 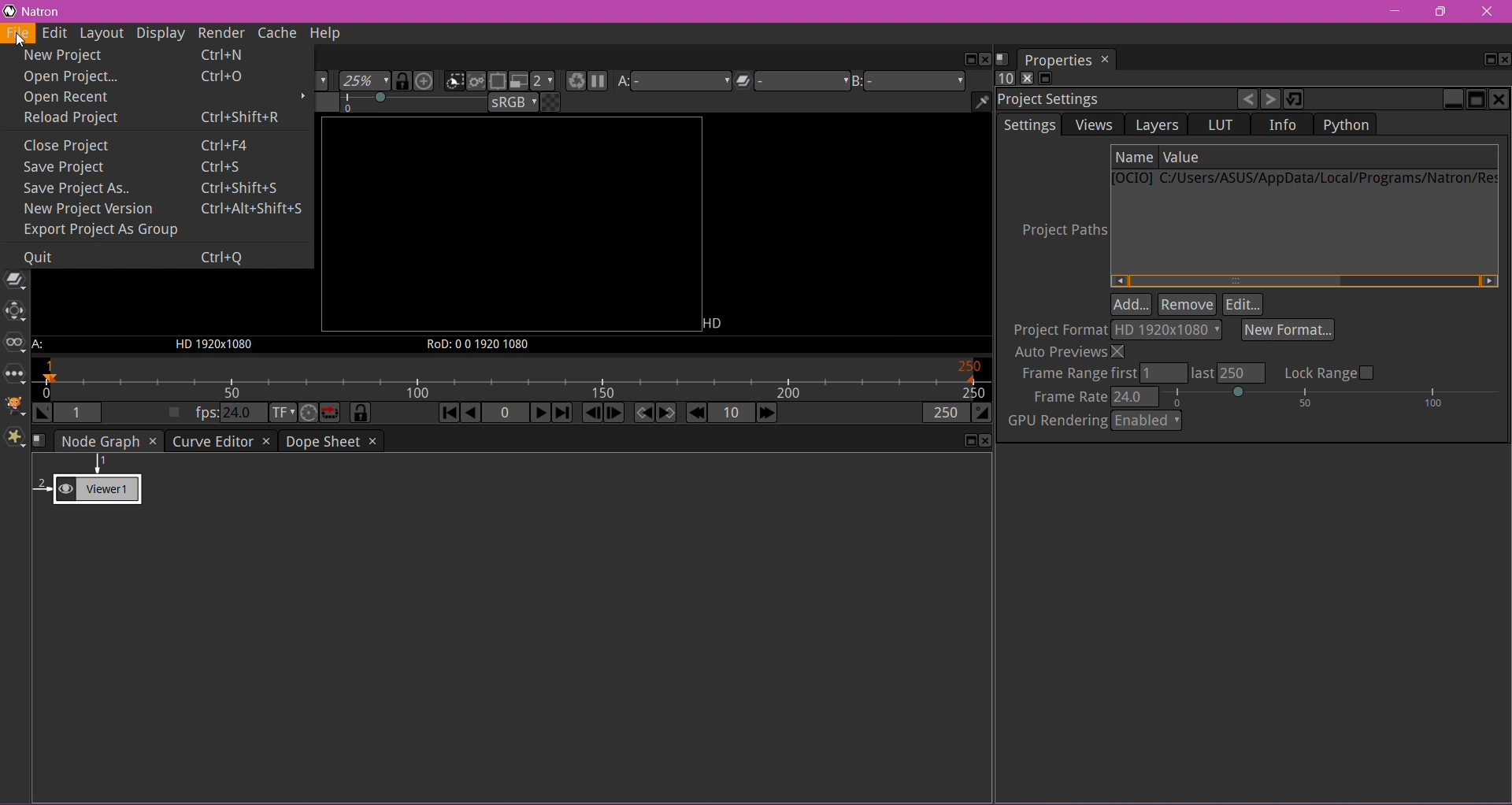 What do you see at coordinates (1106, 61) in the screenshot?
I see `Close Tab` at bounding box center [1106, 61].